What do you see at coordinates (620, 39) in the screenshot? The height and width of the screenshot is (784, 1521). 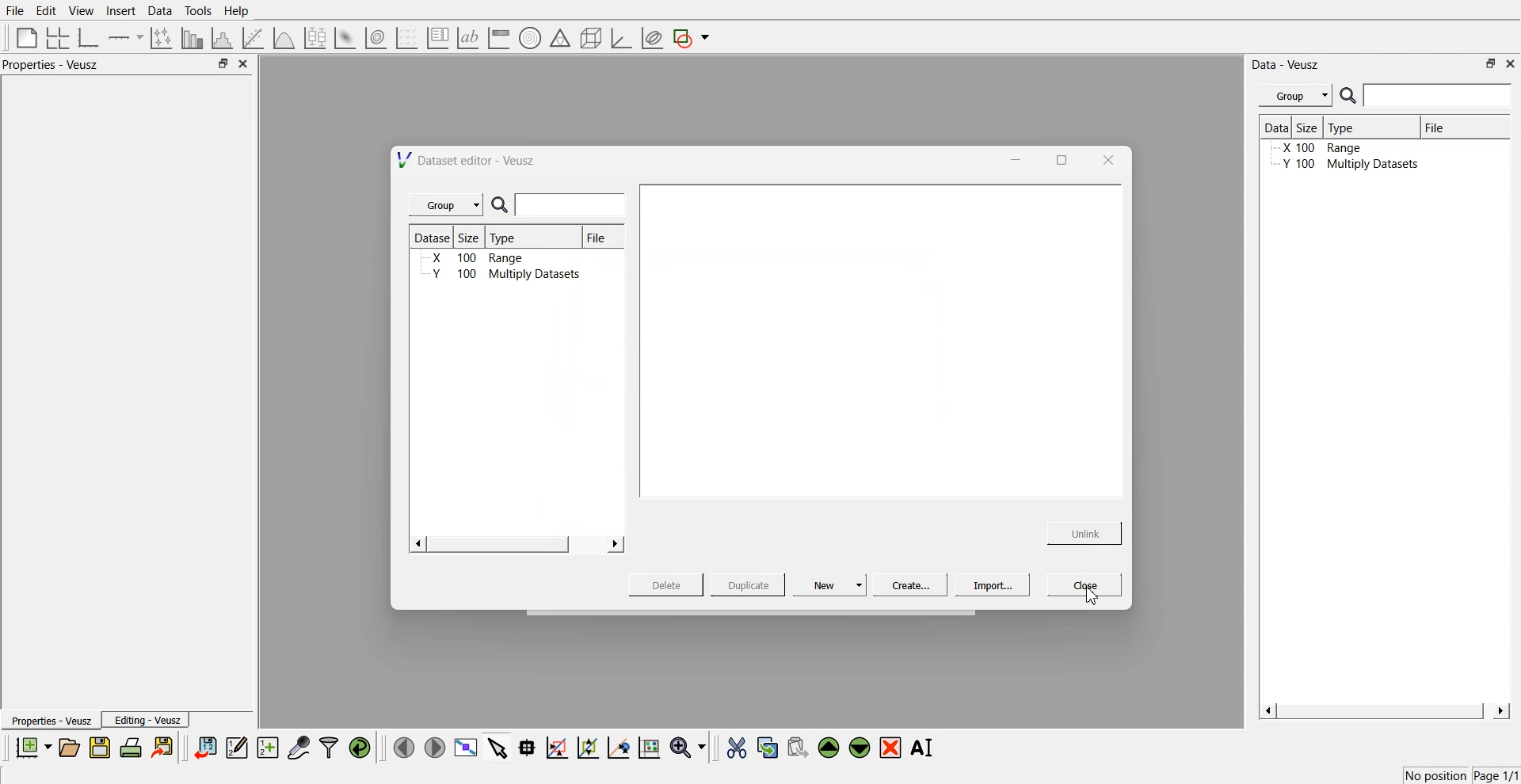 I see `3d graph` at bounding box center [620, 39].